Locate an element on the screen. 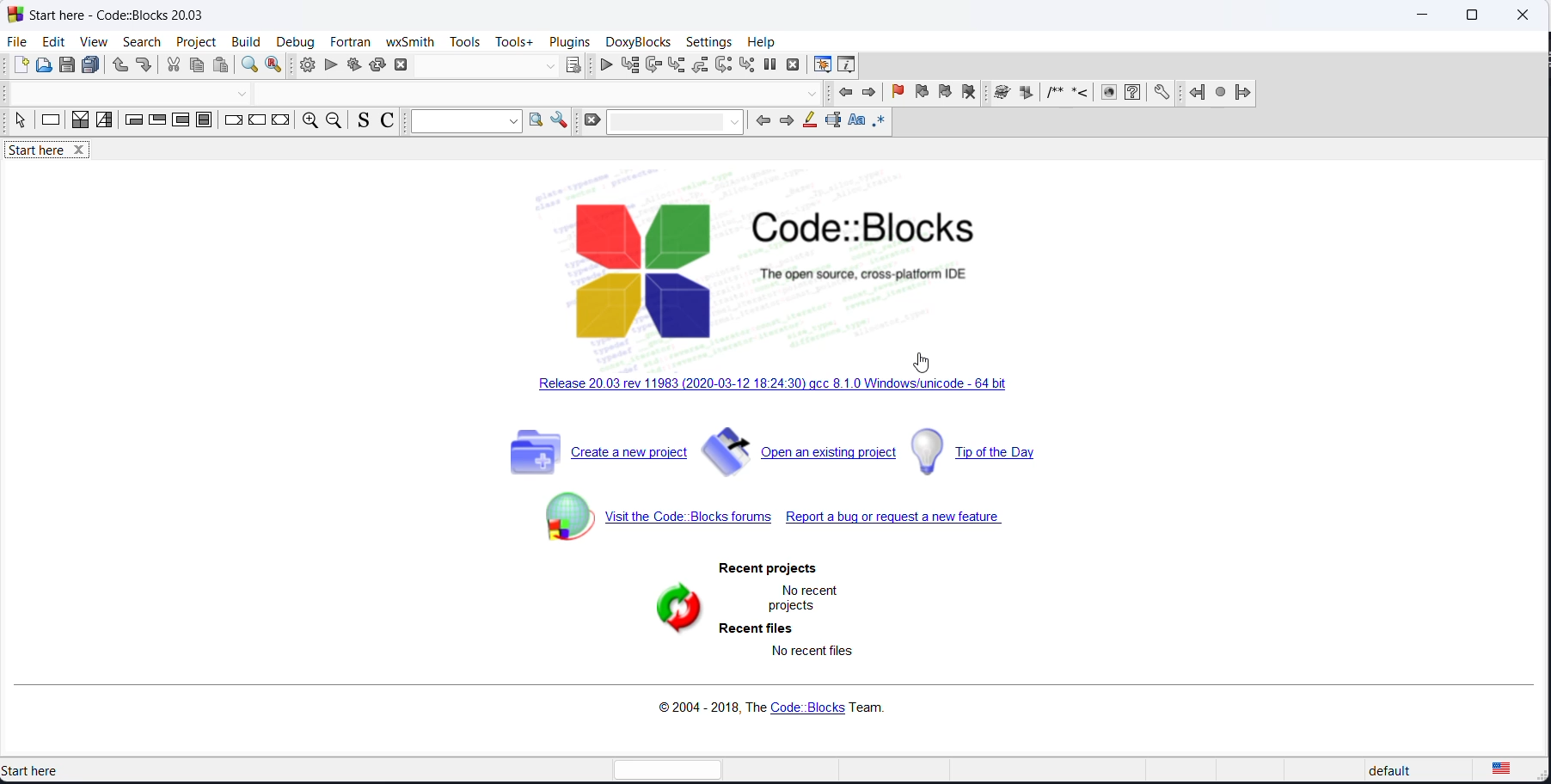 The width and height of the screenshot is (1551, 784). dropdown is located at coordinates (245, 94).